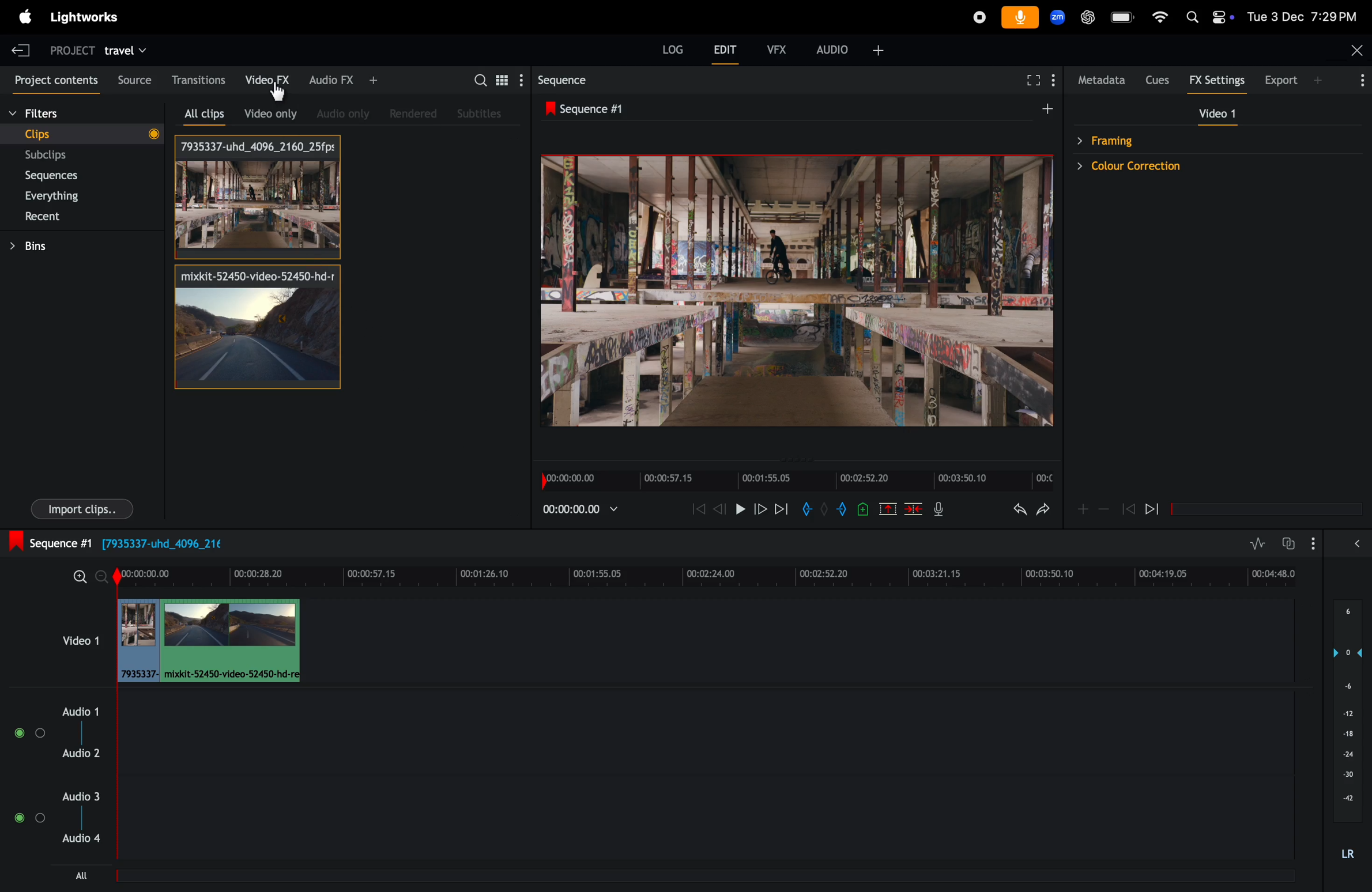  Describe the element at coordinates (623, 109) in the screenshot. I see `sequence #1` at that location.